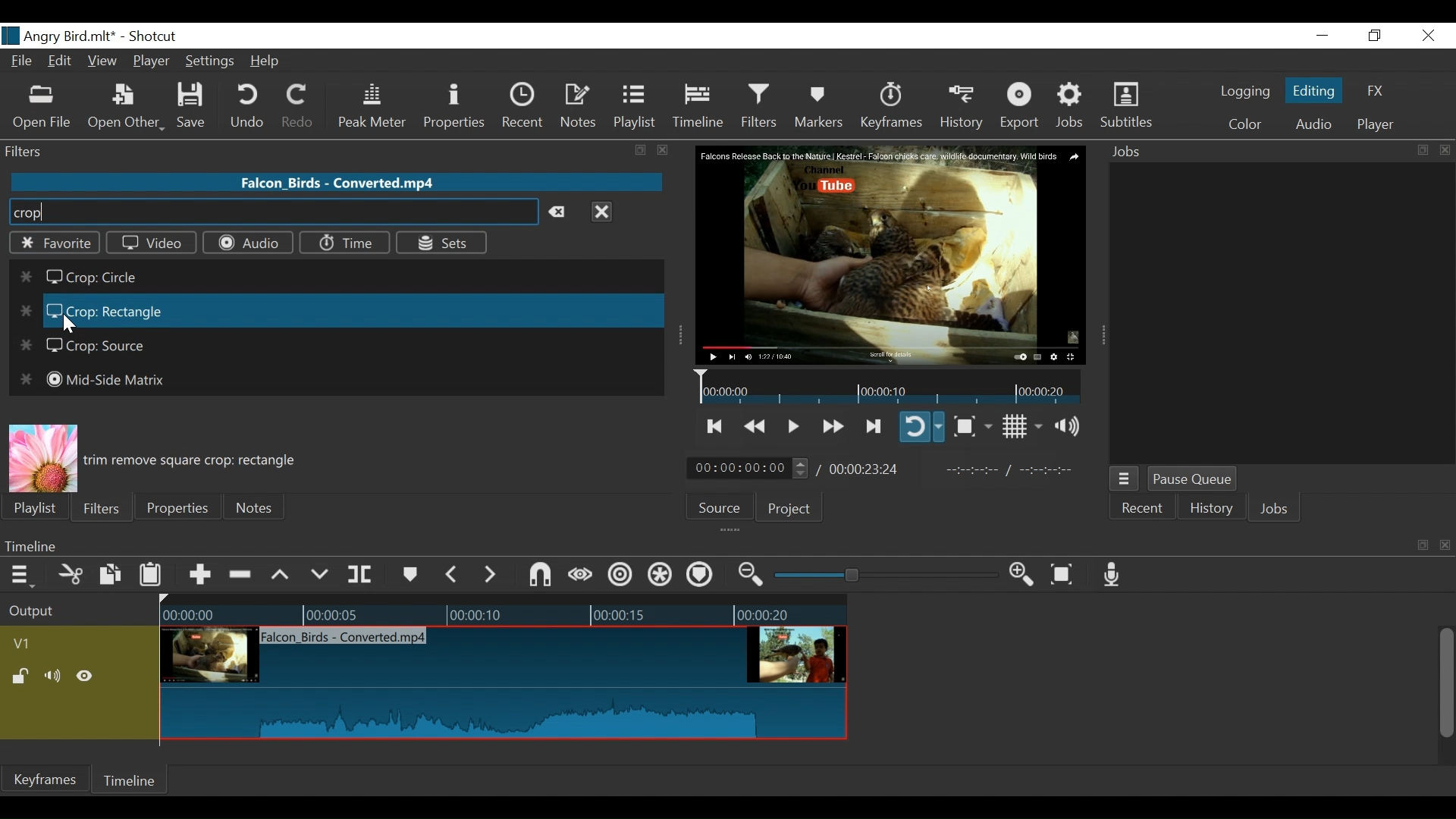 The height and width of the screenshot is (819, 1456). What do you see at coordinates (102, 62) in the screenshot?
I see `View` at bounding box center [102, 62].